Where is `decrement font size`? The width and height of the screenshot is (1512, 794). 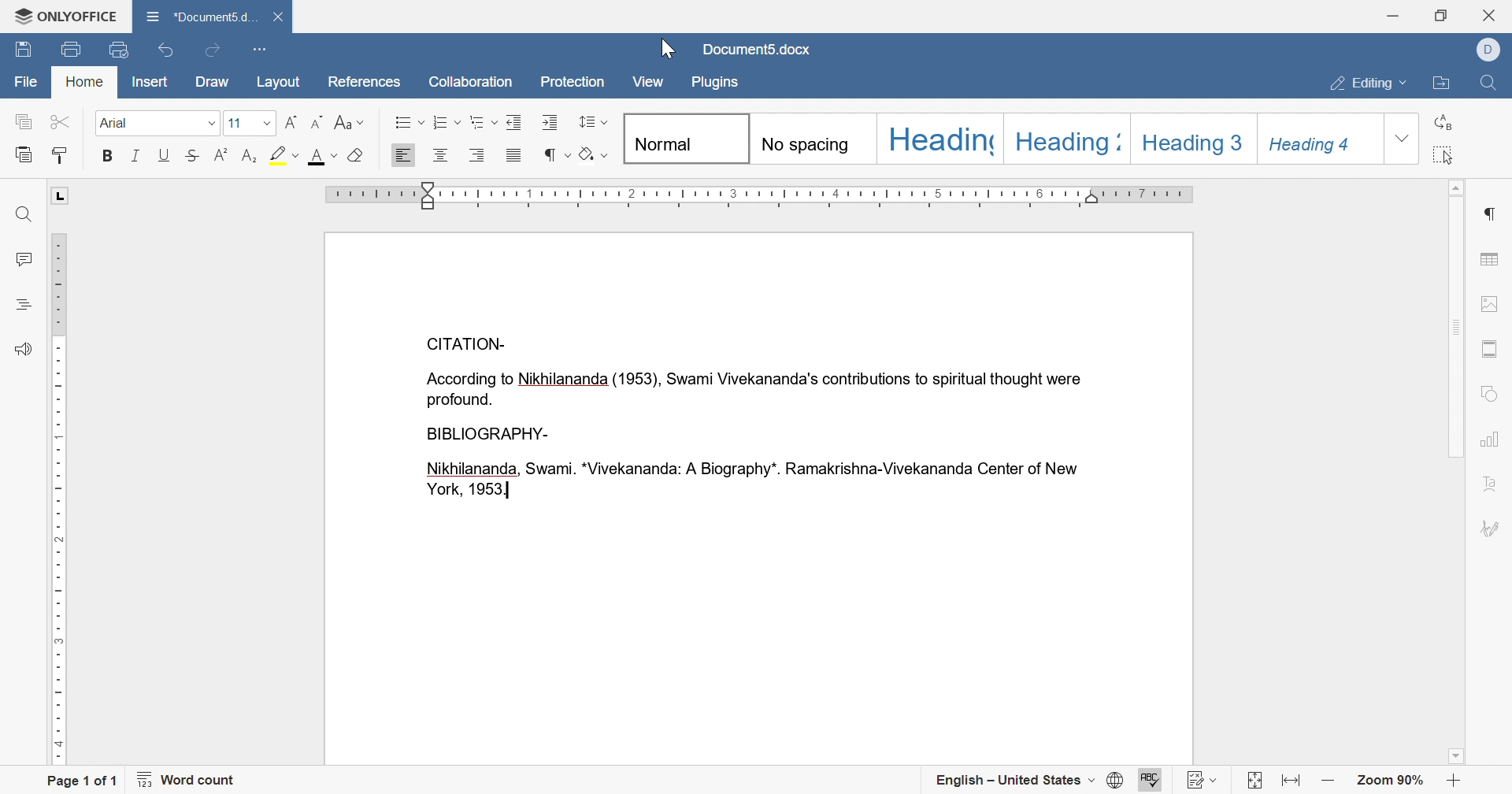
decrement font size is located at coordinates (321, 121).